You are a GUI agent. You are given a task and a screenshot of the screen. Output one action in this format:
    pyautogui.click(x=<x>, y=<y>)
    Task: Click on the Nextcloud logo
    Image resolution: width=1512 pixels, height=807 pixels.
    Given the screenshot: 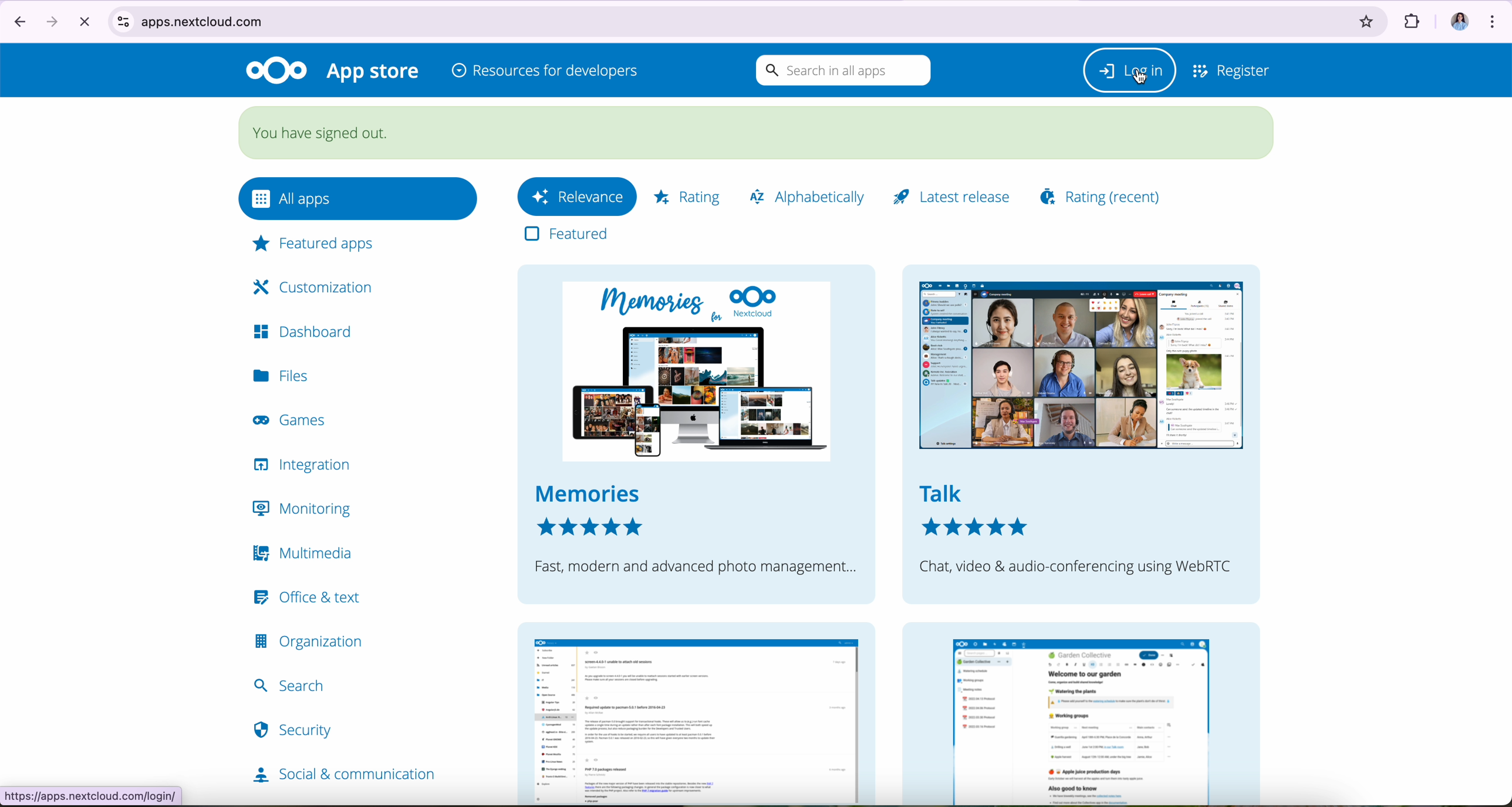 What is the action you would take?
    pyautogui.click(x=276, y=69)
    